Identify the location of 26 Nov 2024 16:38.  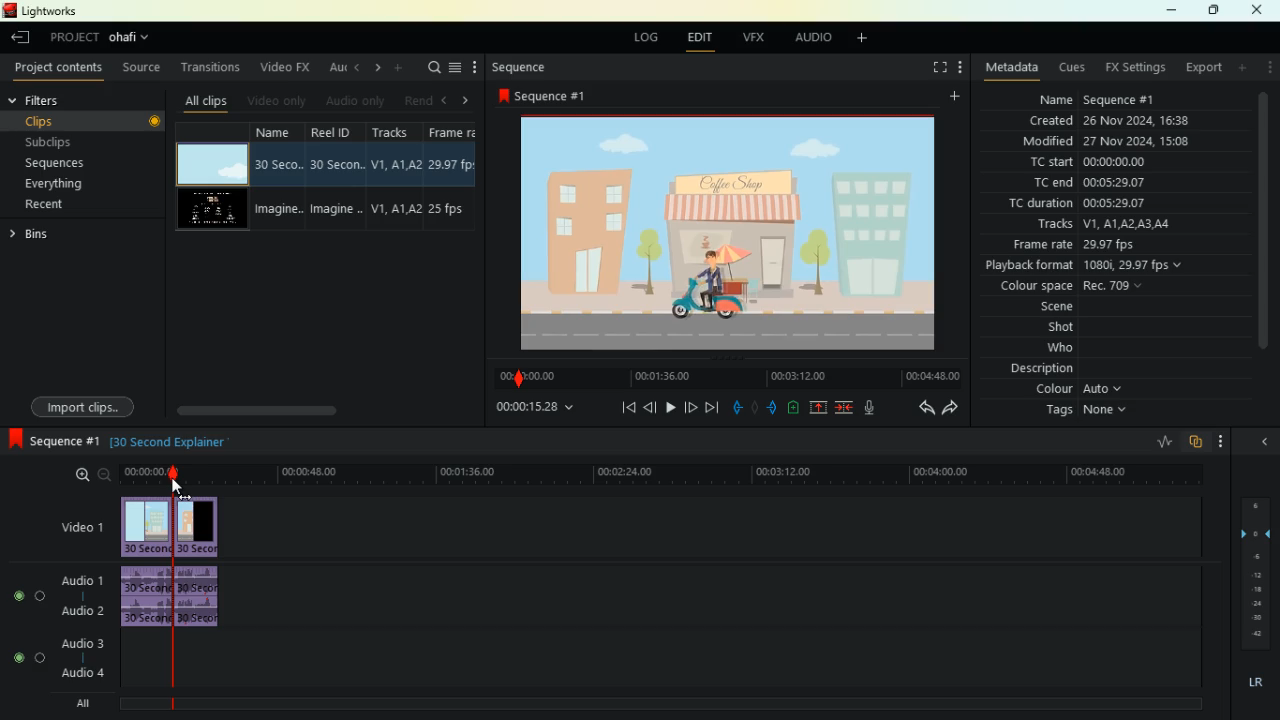
(1141, 121).